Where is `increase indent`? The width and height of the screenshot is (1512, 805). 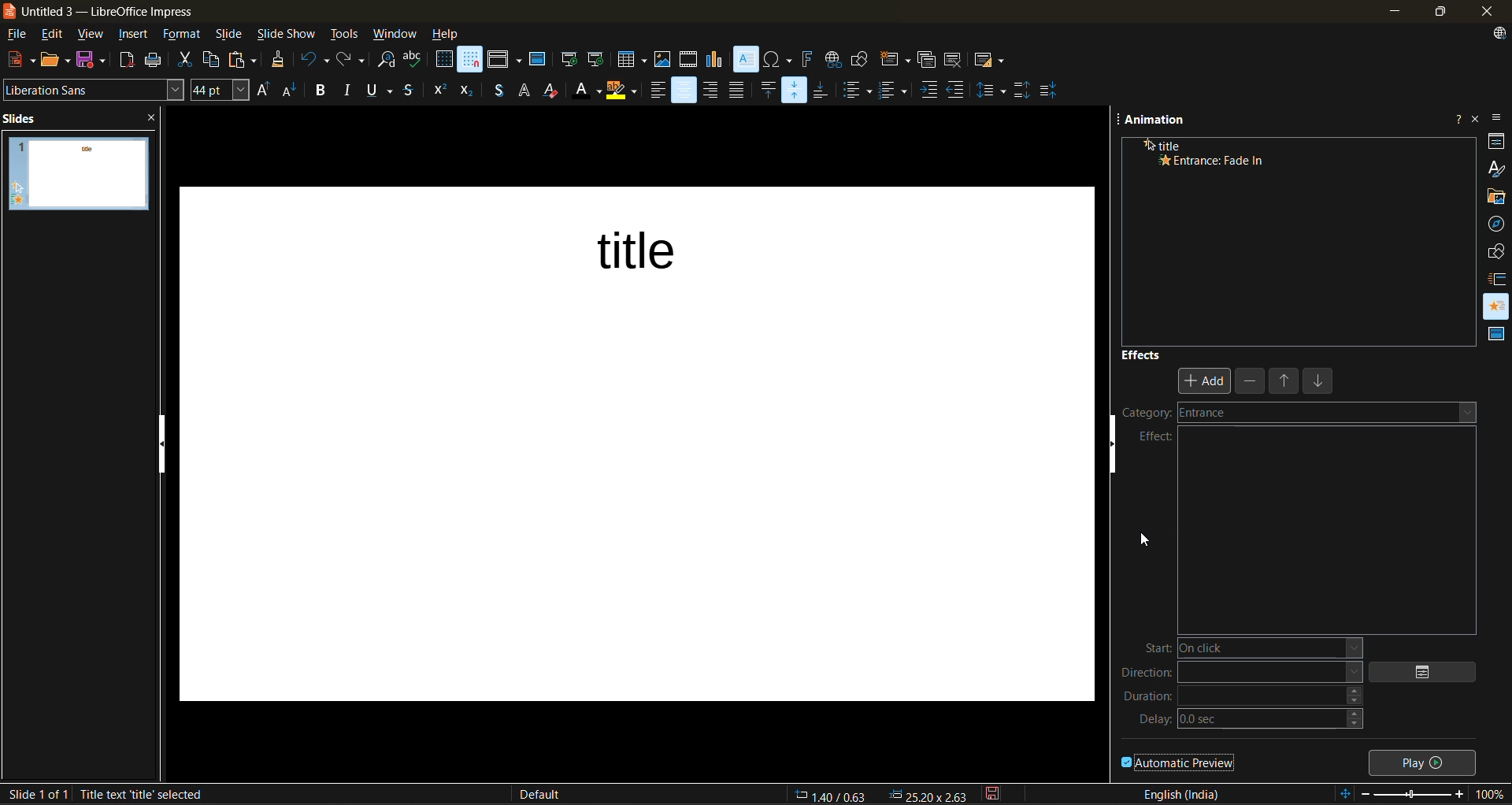 increase indent is located at coordinates (930, 91).